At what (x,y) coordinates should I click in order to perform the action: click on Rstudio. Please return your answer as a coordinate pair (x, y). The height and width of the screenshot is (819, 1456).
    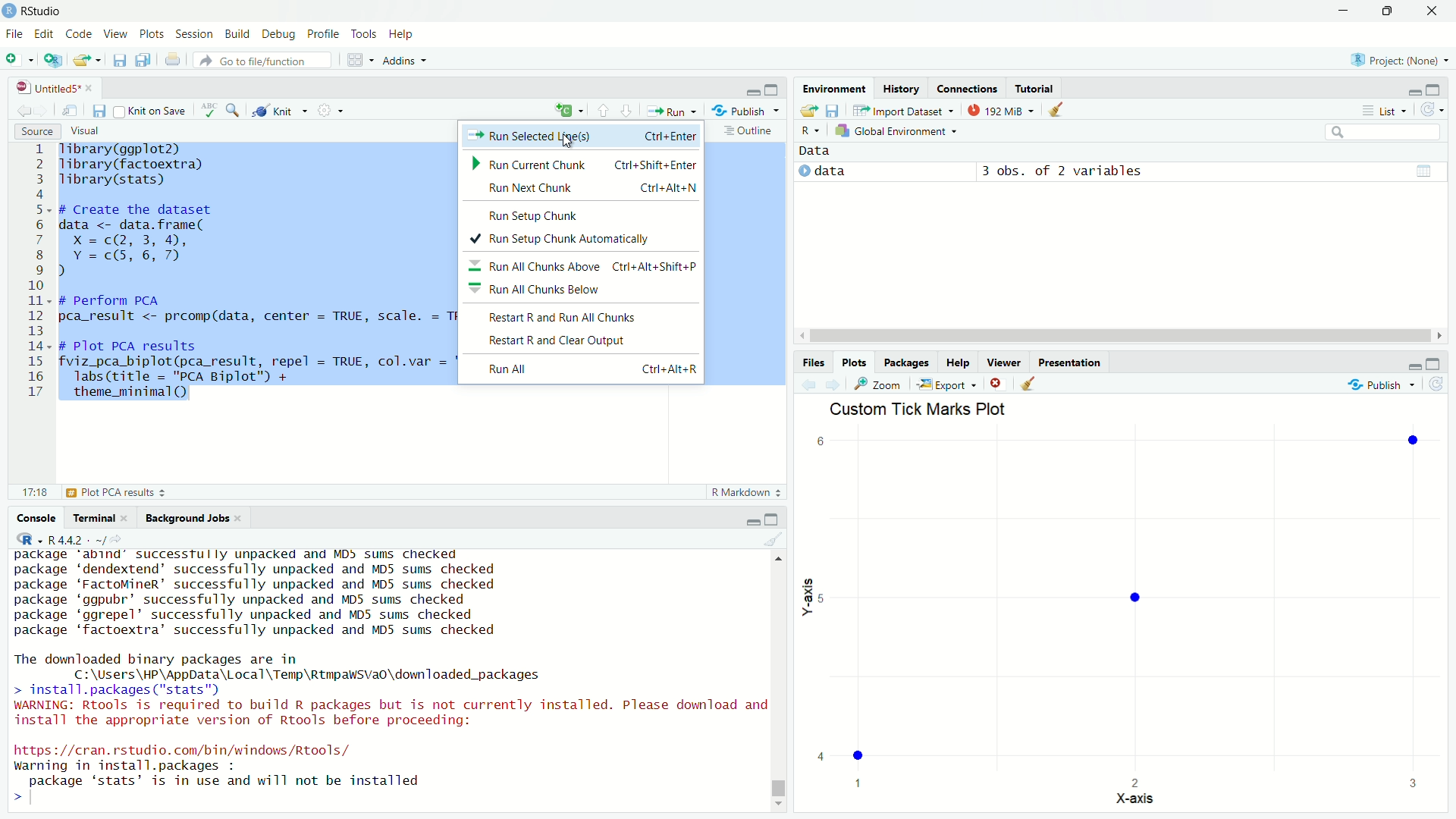
    Looking at the image, I should click on (50, 11).